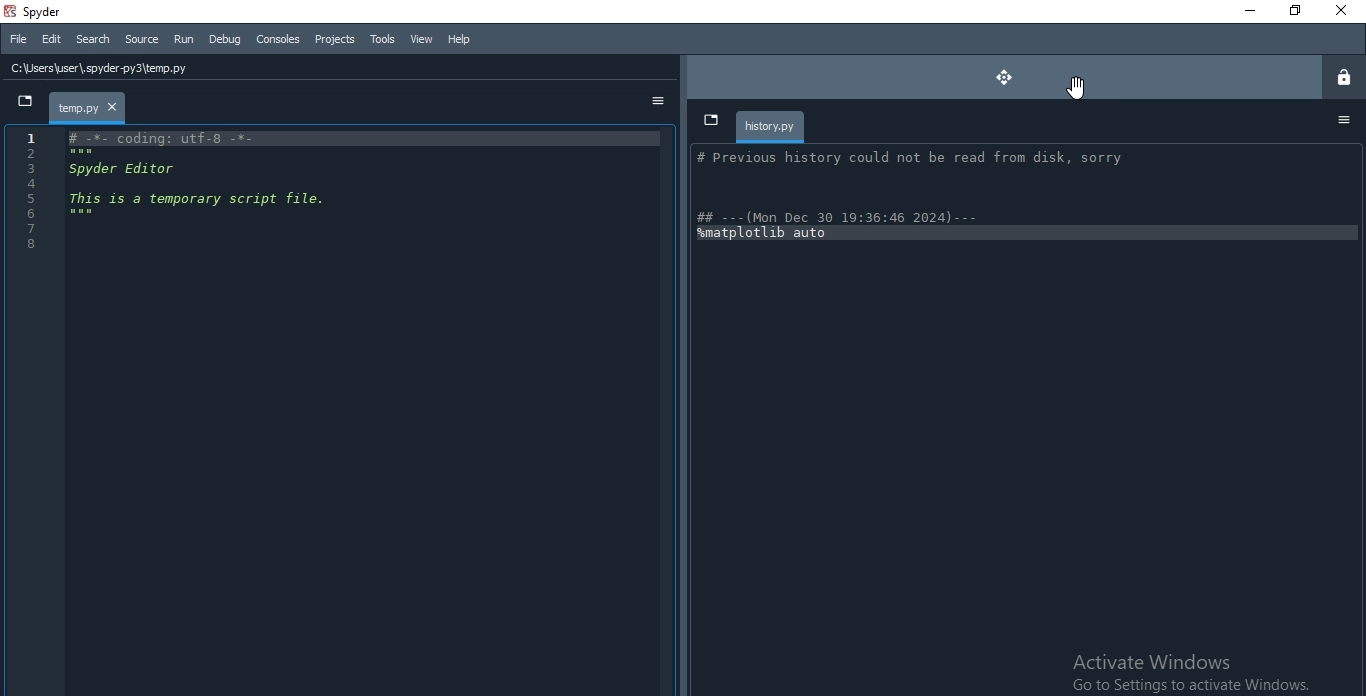 The width and height of the screenshot is (1366, 696). Describe the element at coordinates (225, 39) in the screenshot. I see `Debug` at that location.